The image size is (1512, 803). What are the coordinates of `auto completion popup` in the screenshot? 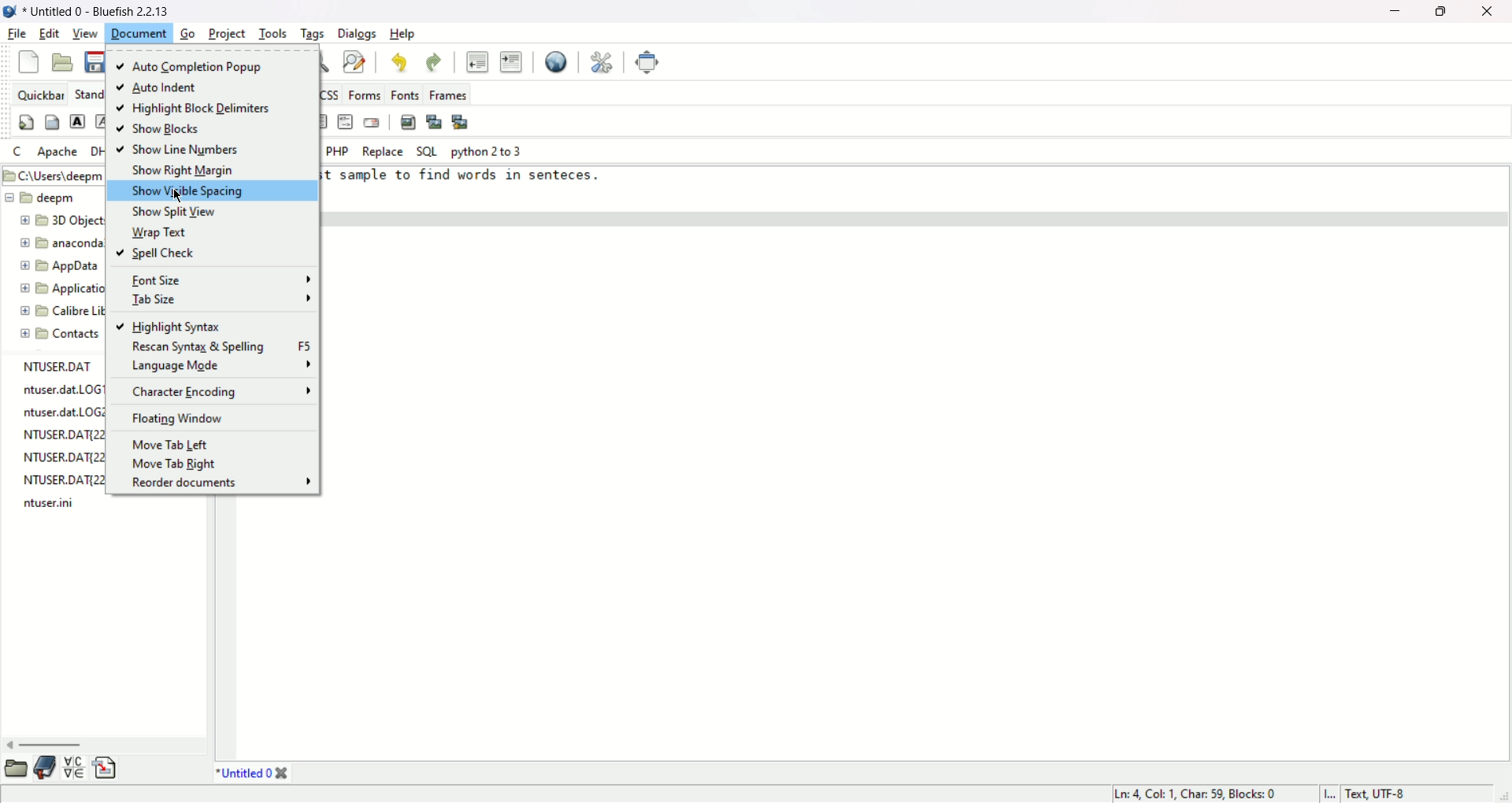 It's located at (189, 66).